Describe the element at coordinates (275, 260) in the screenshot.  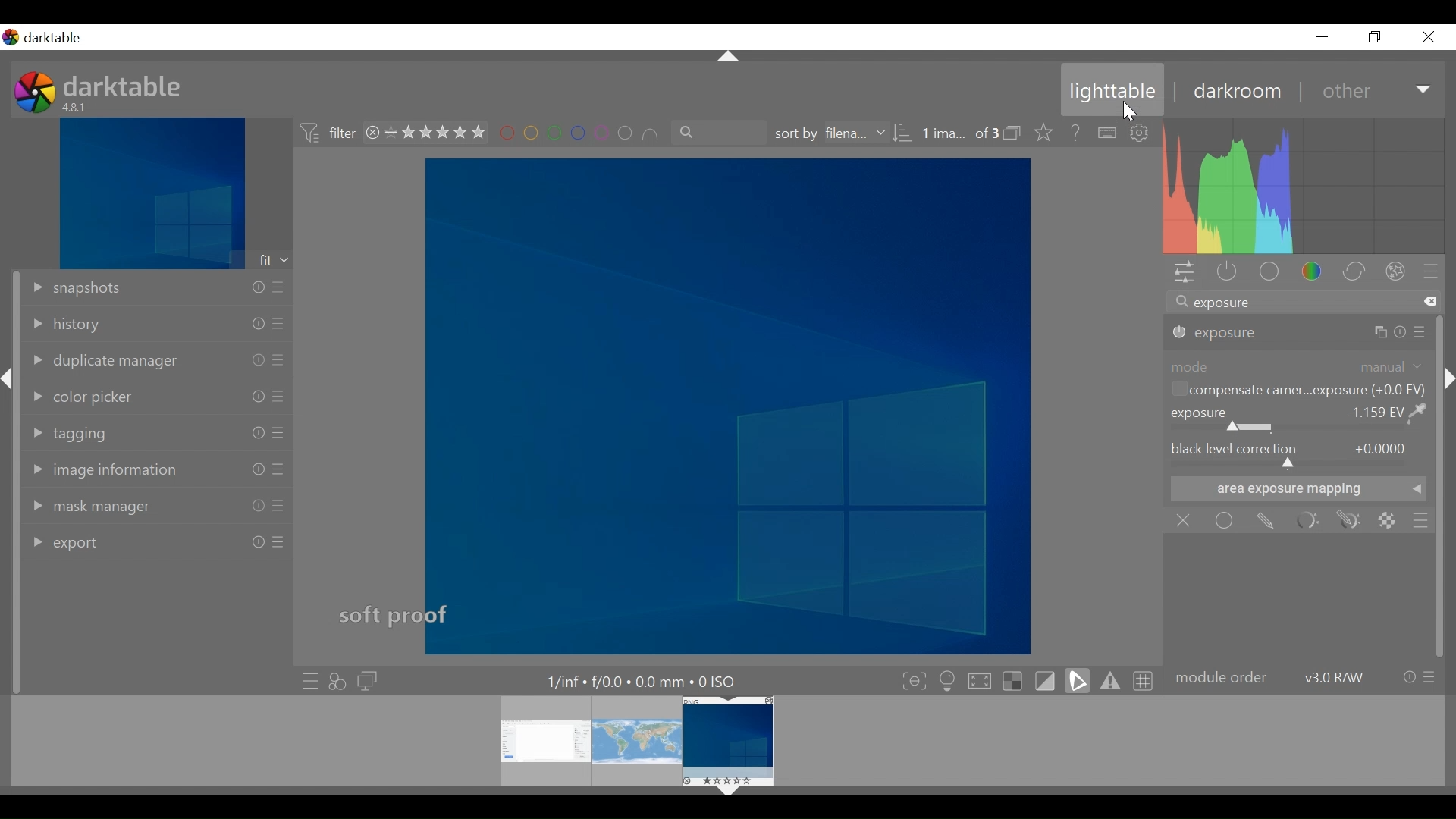
I see `fit` at that location.